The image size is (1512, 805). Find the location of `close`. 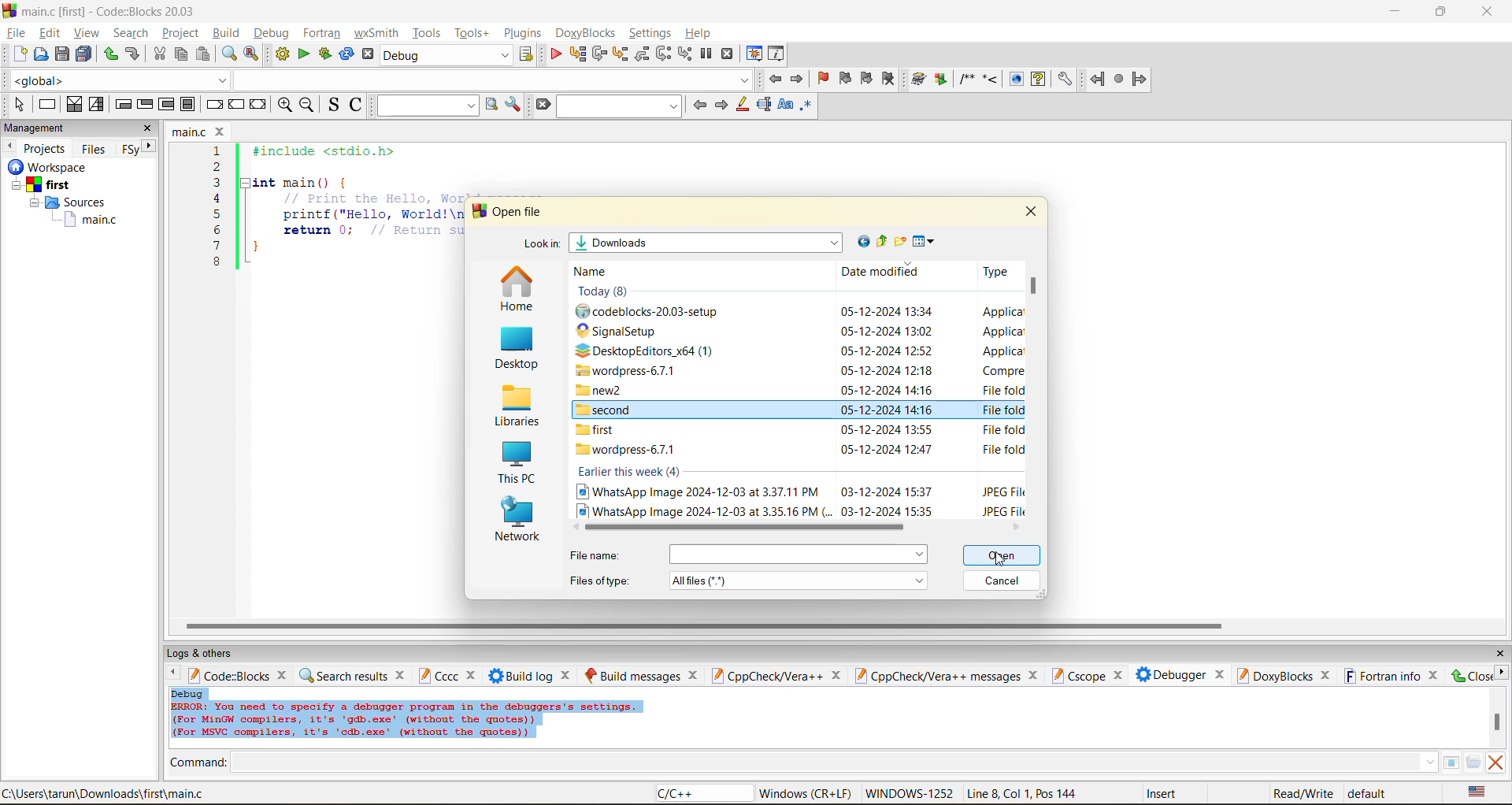

close is located at coordinates (836, 676).